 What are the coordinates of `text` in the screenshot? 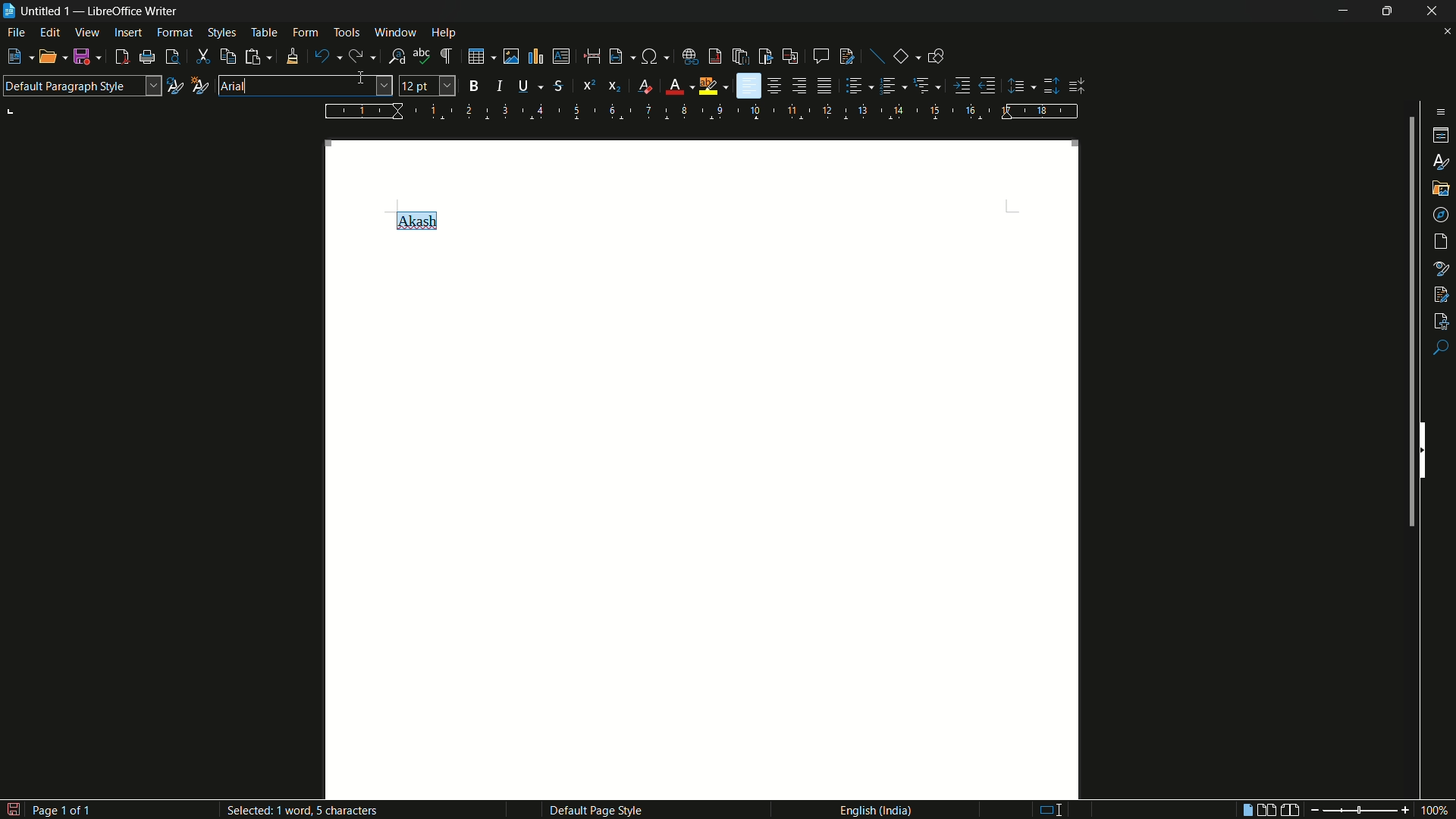 It's located at (415, 219).